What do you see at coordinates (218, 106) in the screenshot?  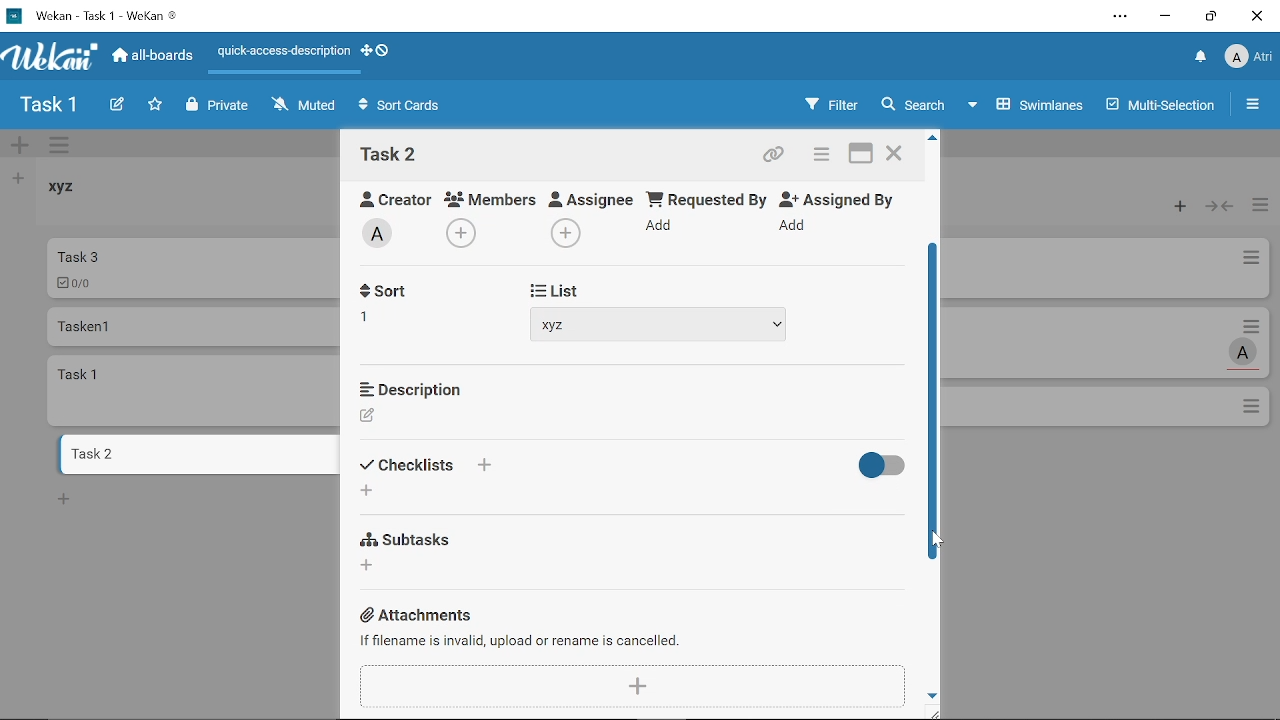 I see `Private` at bounding box center [218, 106].